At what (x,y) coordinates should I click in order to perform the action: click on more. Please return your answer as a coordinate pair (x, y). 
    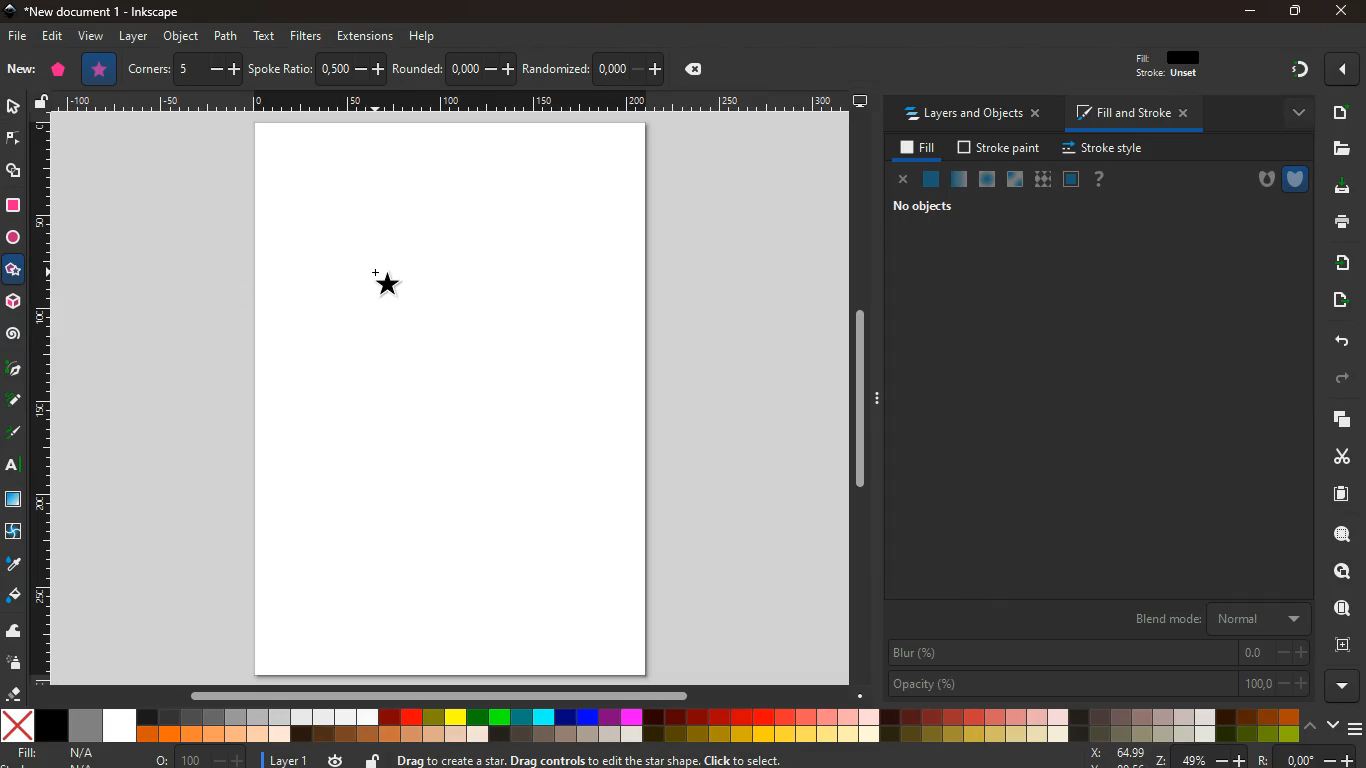
    Looking at the image, I should click on (1338, 687).